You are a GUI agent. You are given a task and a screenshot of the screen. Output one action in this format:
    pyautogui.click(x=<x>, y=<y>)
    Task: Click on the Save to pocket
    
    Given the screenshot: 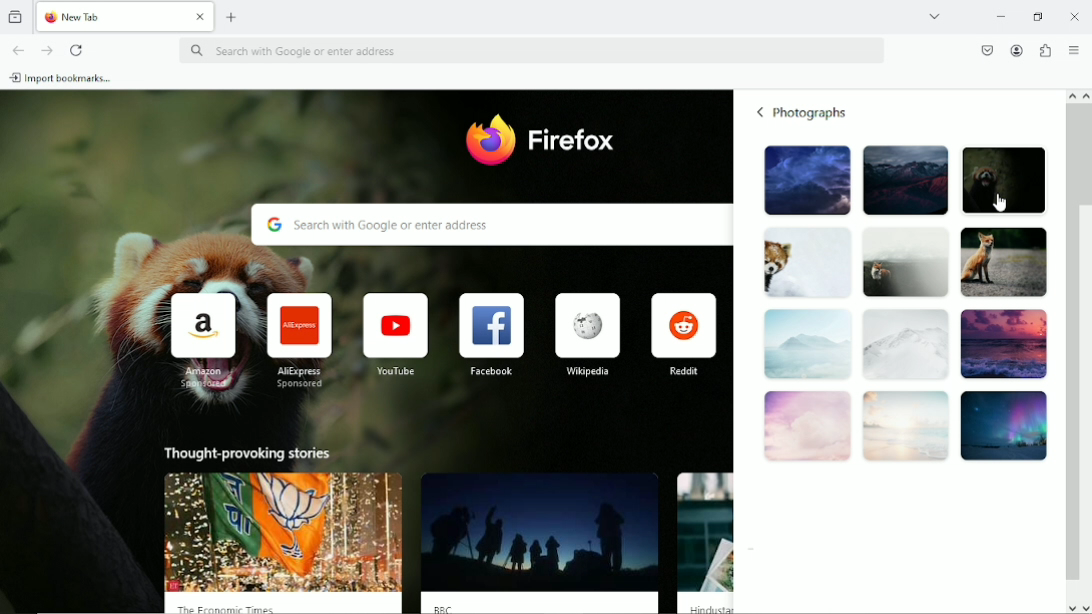 What is the action you would take?
    pyautogui.click(x=986, y=50)
    